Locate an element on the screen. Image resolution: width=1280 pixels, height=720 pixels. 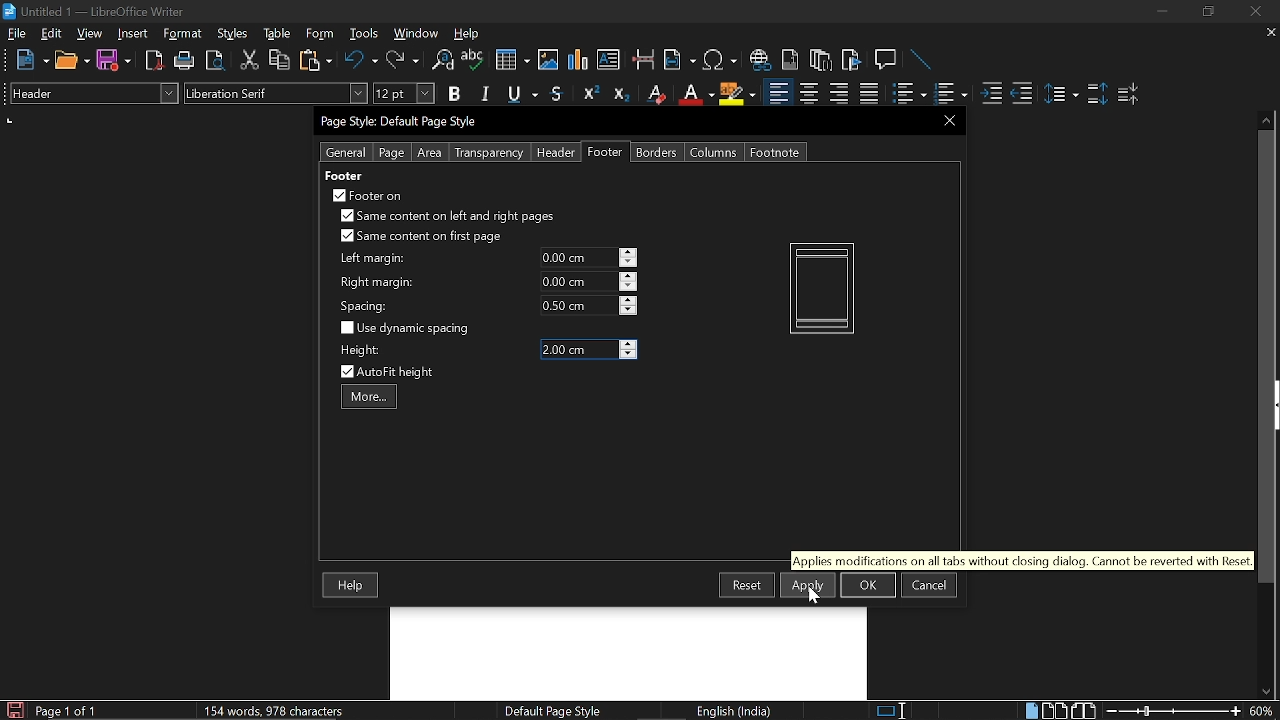
Center is located at coordinates (808, 93).